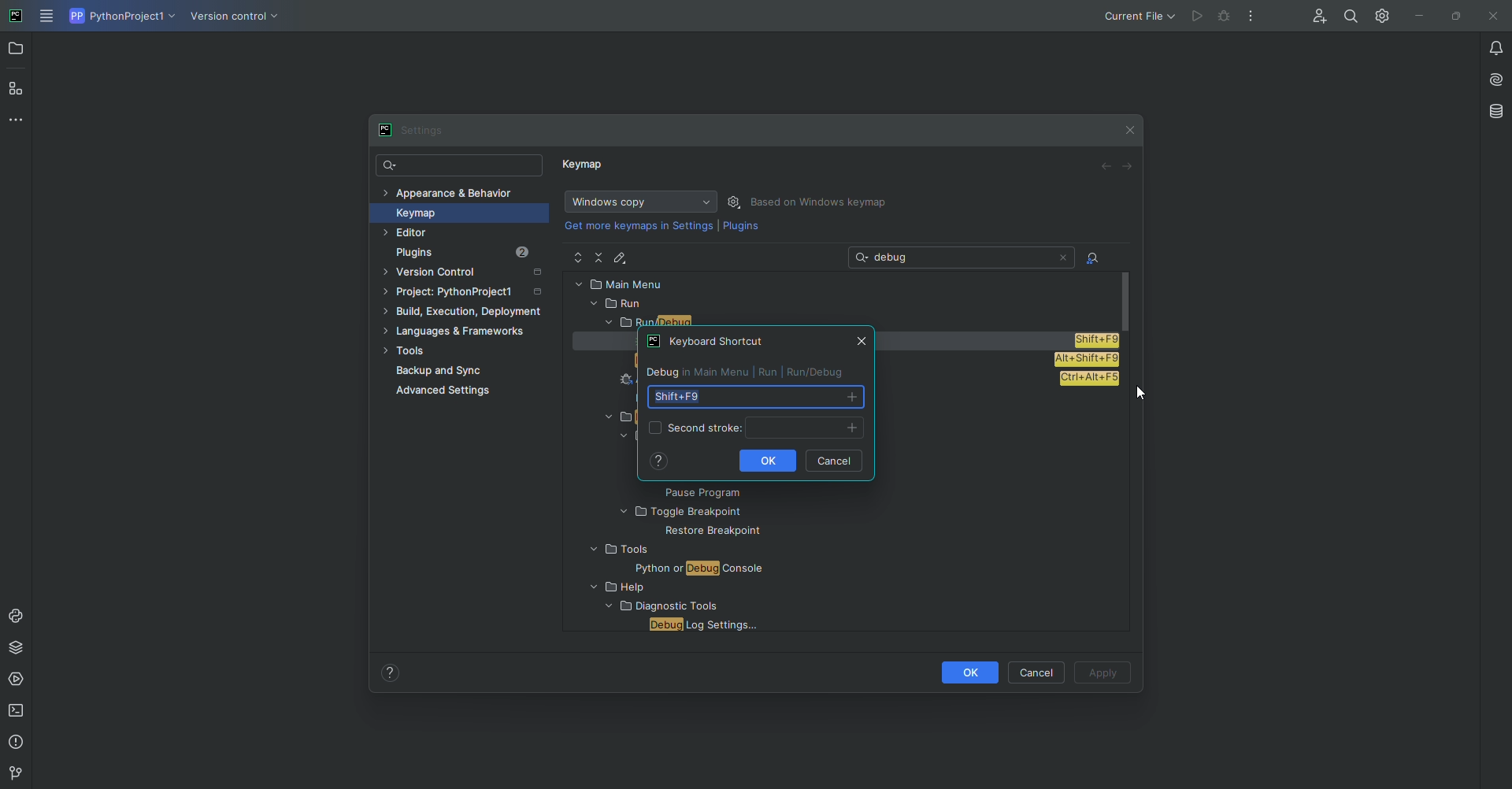 The image size is (1512, 789). Describe the element at coordinates (449, 191) in the screenshot. I see `Appearance` at that location.